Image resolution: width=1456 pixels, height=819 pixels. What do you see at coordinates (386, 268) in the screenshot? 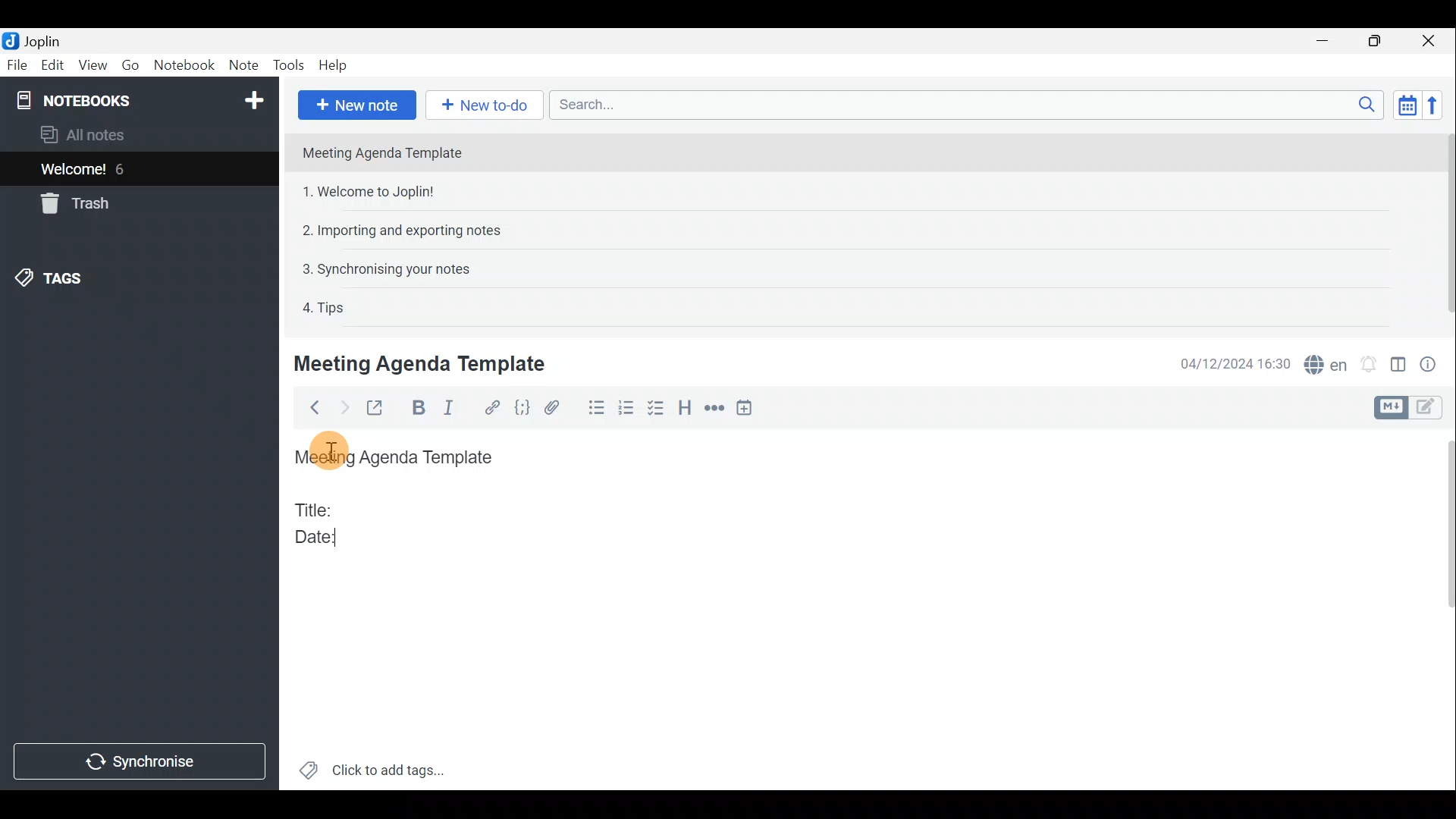
I see `3. Synchronising your notes` at bounding box center [386, 268].